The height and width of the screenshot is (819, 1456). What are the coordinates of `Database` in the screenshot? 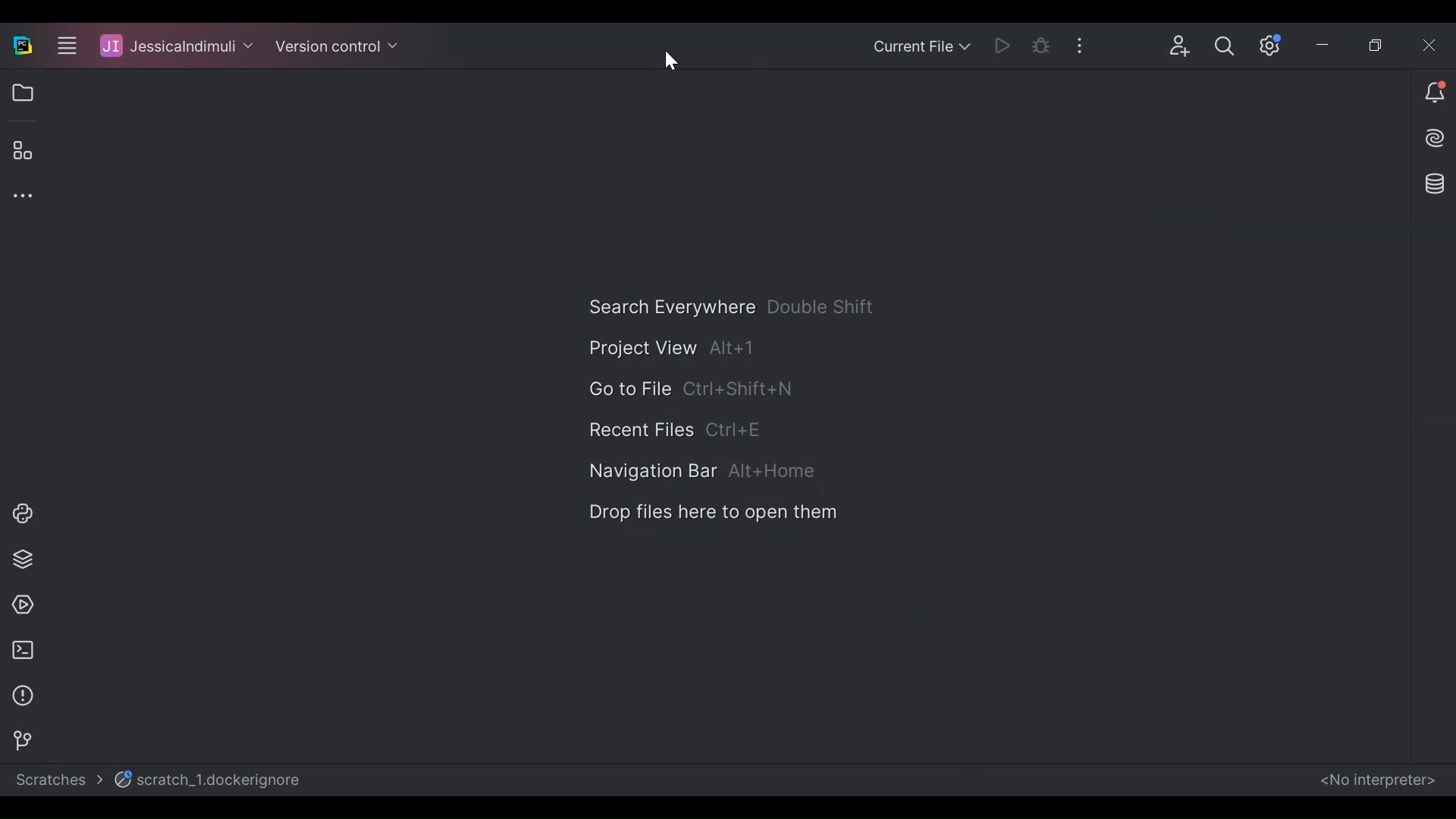 It's located at (1436, 187).